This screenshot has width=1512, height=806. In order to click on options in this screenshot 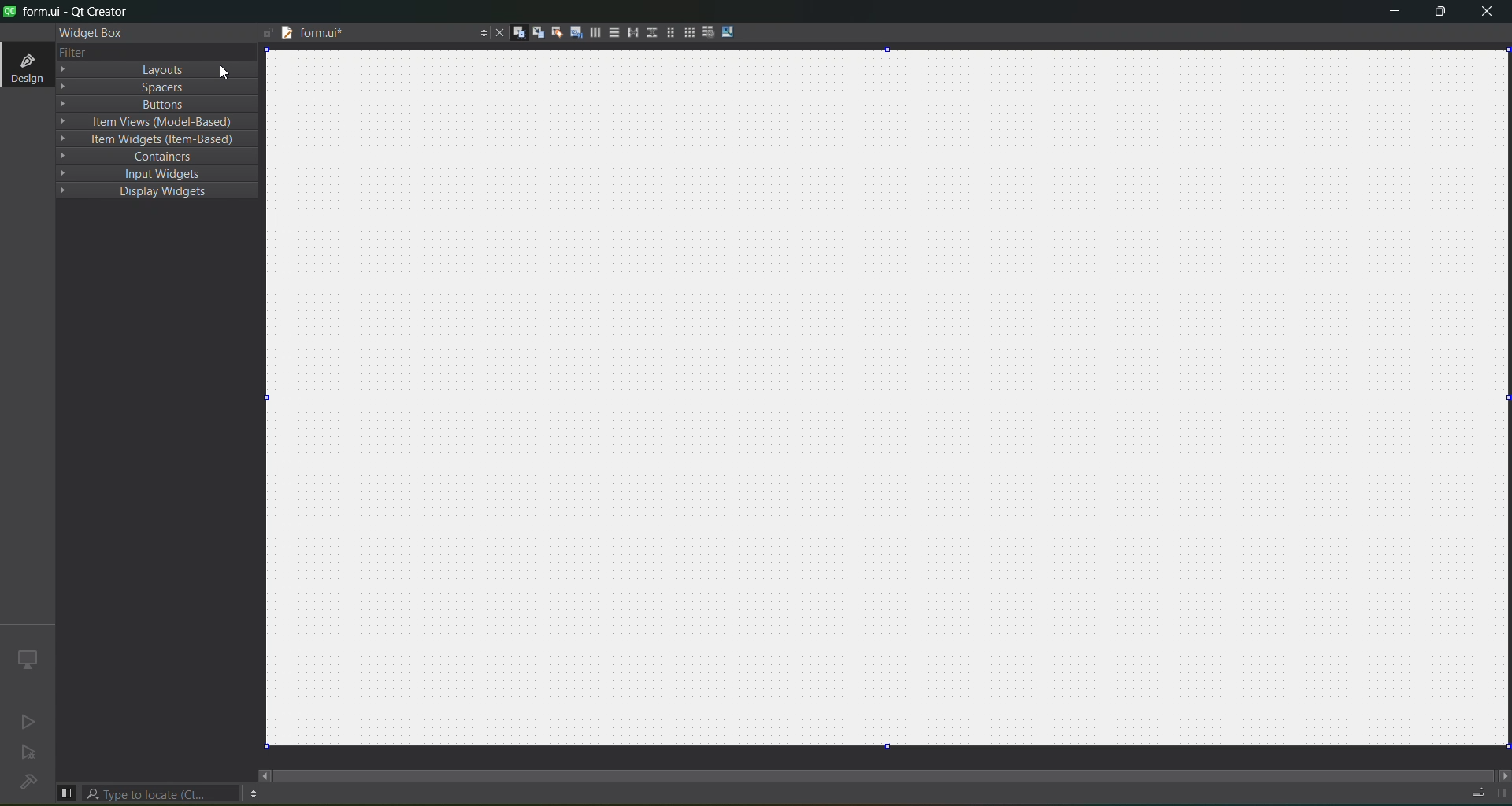, I will do `click(480, 32)`.